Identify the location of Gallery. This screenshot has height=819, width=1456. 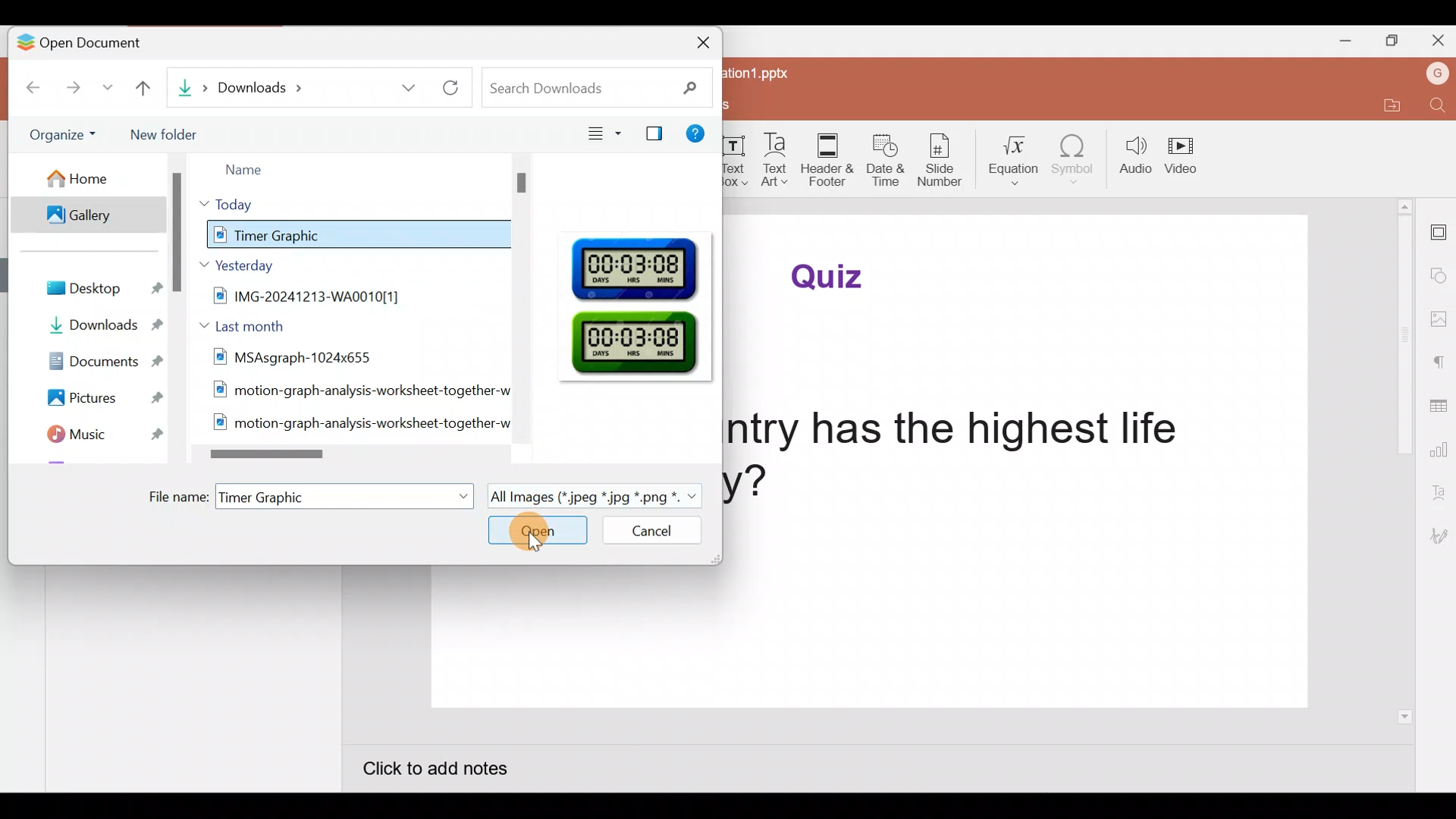
(89, 221).